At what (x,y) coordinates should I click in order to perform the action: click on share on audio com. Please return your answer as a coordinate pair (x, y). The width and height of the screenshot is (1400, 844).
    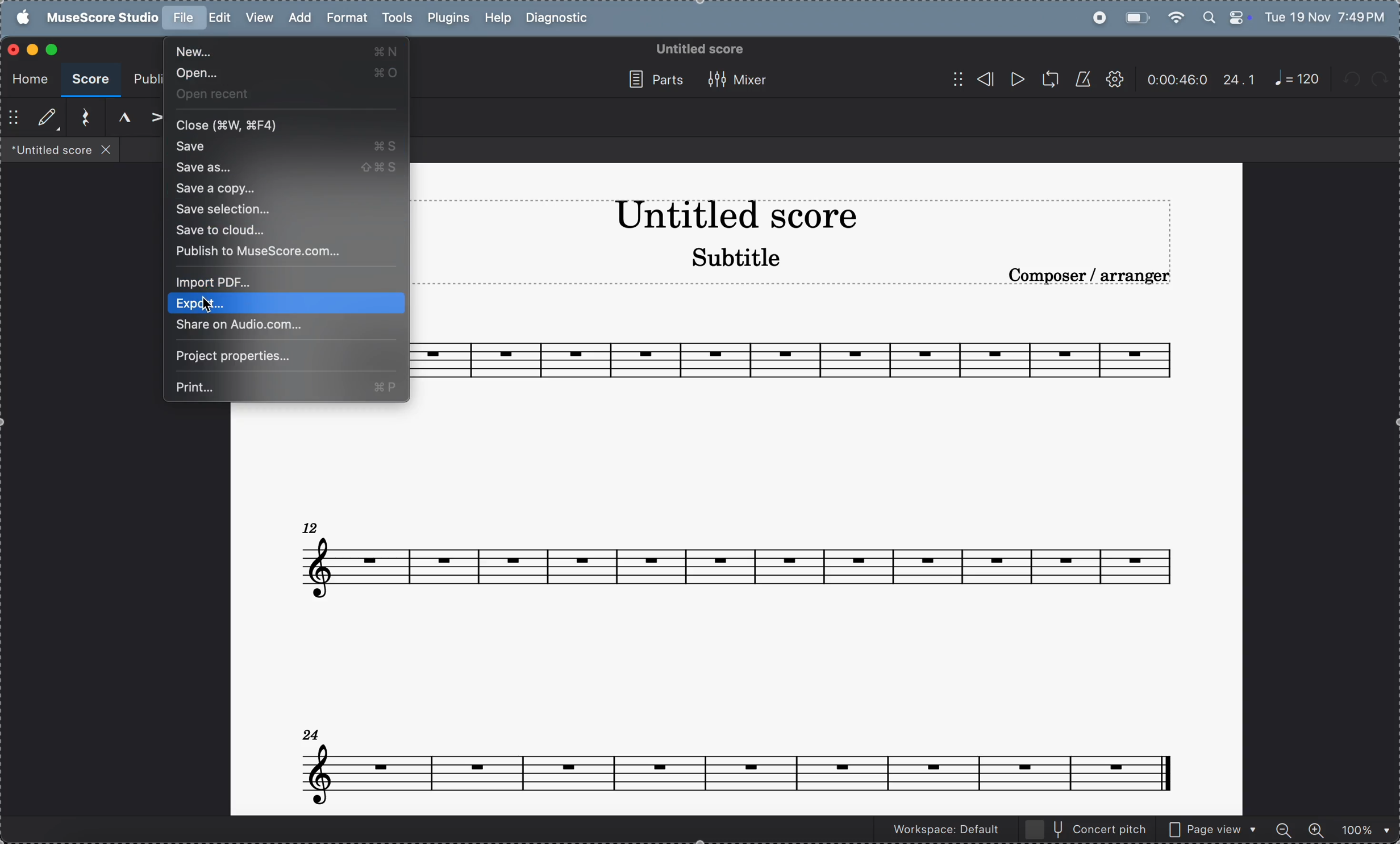
    Looking at the image, I should click on (285, 326).